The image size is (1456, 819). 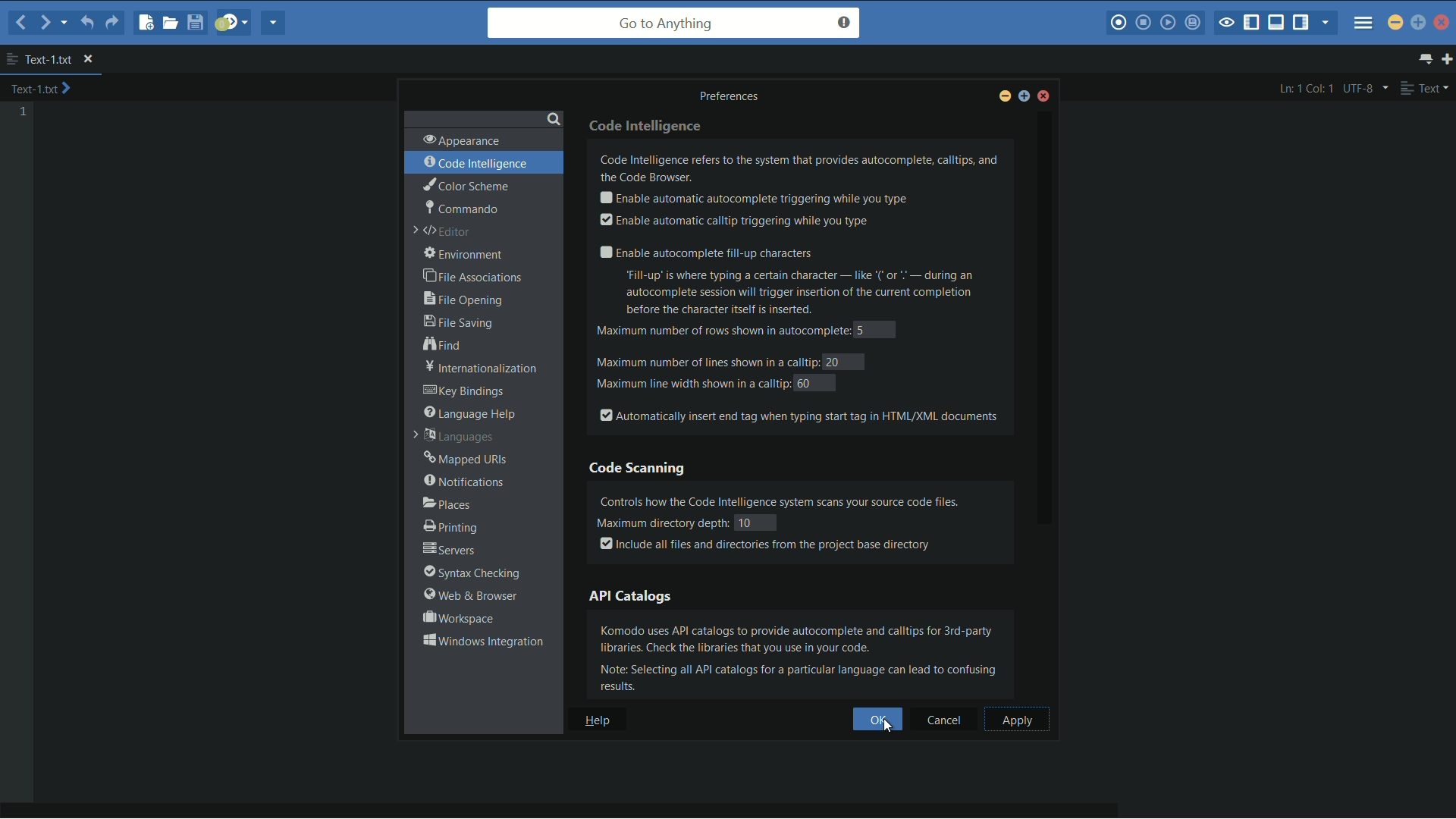 I want to click on cursor, so click(x=894, y=731).